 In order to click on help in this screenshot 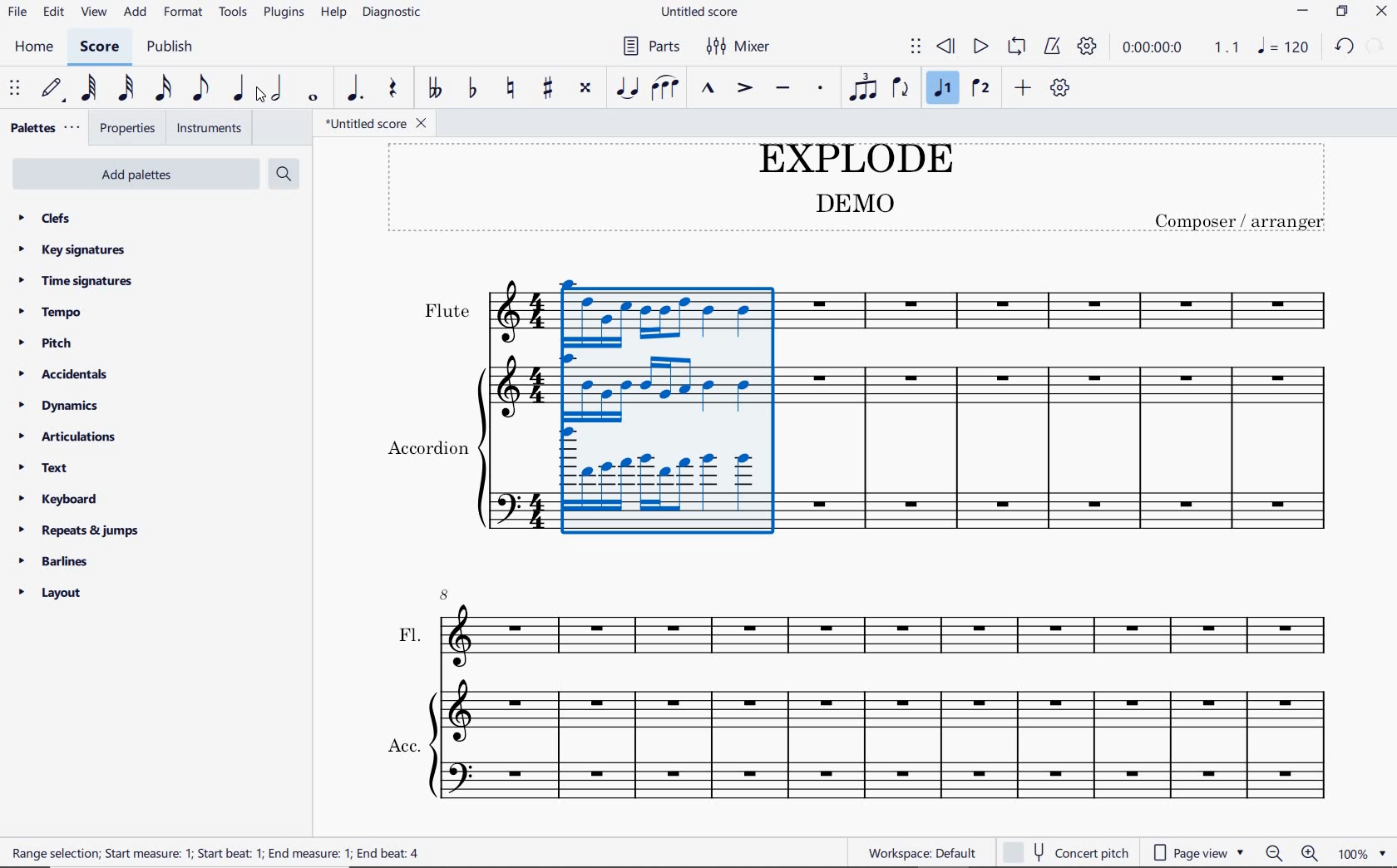, I will do `click(333, 12)`.